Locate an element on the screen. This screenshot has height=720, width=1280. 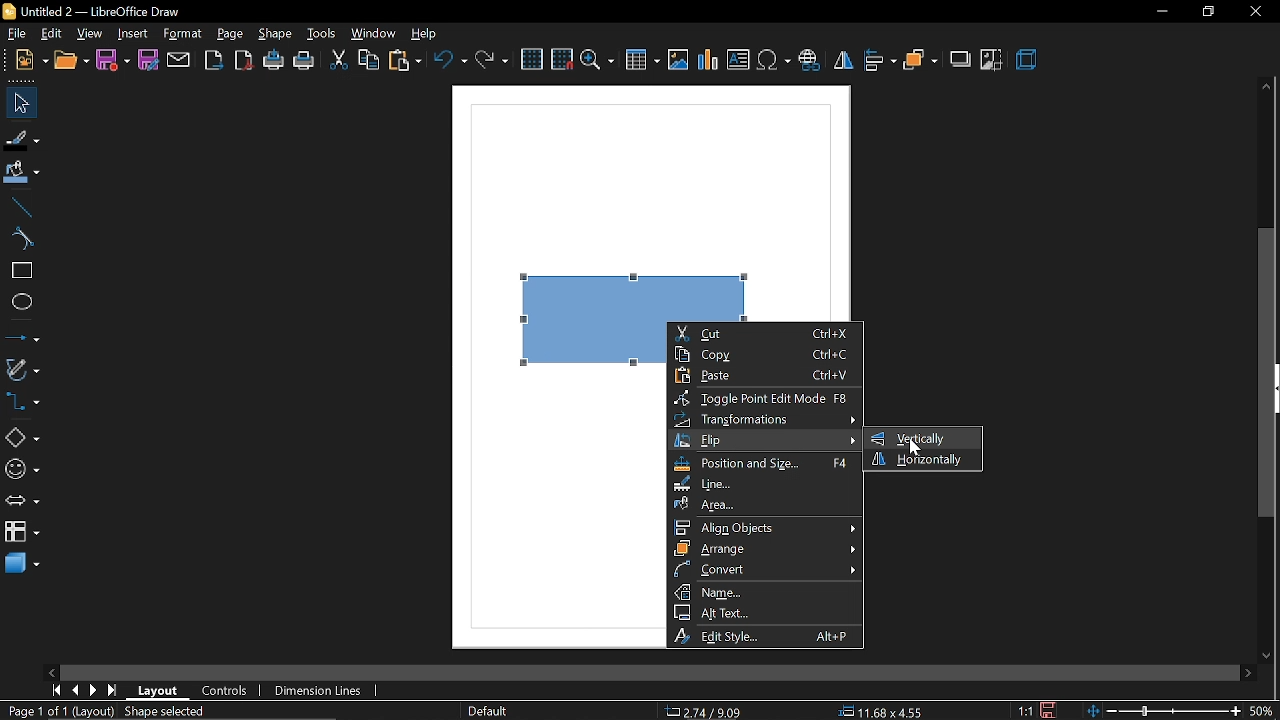
dimension lines is located at coordinates (323, 689).